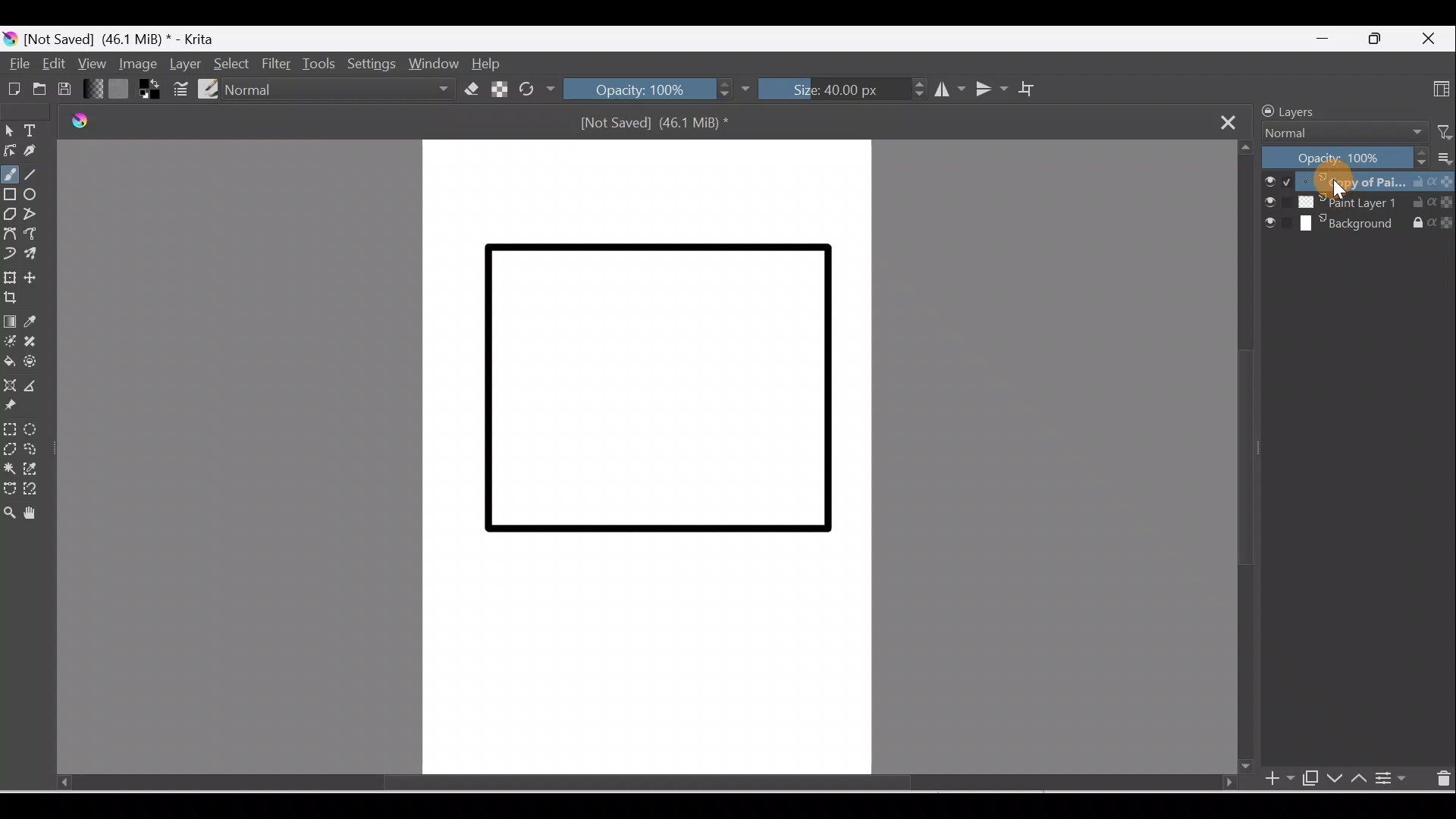 Image resolution: width=1456 pixels, height=819 pixels. Describe the element at coordinates (75, 123) in the screenshot. I see `Logo` at that location.